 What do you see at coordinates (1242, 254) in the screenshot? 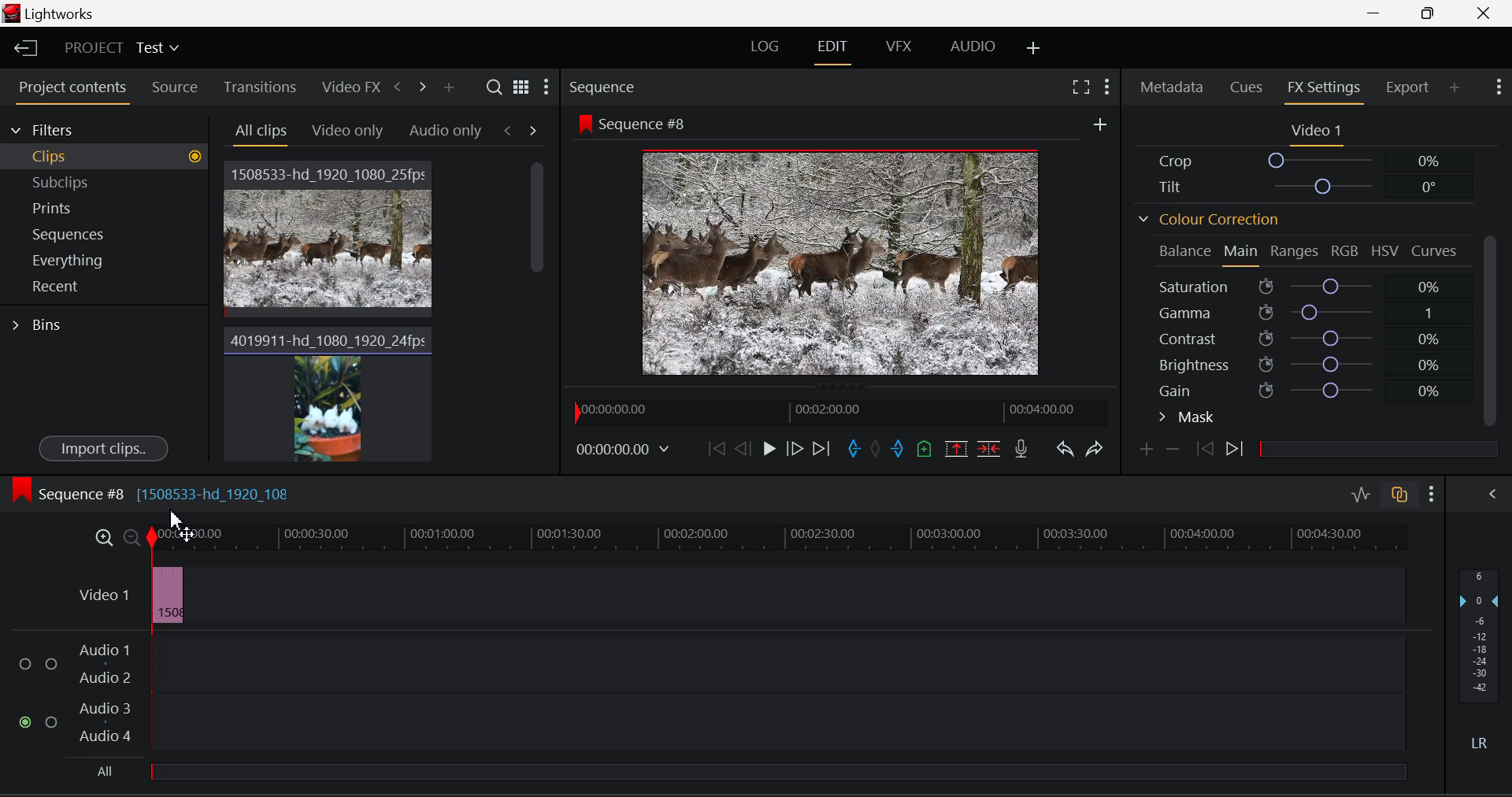
I see `Main Tab Open` at bounding box center [1242, 254].